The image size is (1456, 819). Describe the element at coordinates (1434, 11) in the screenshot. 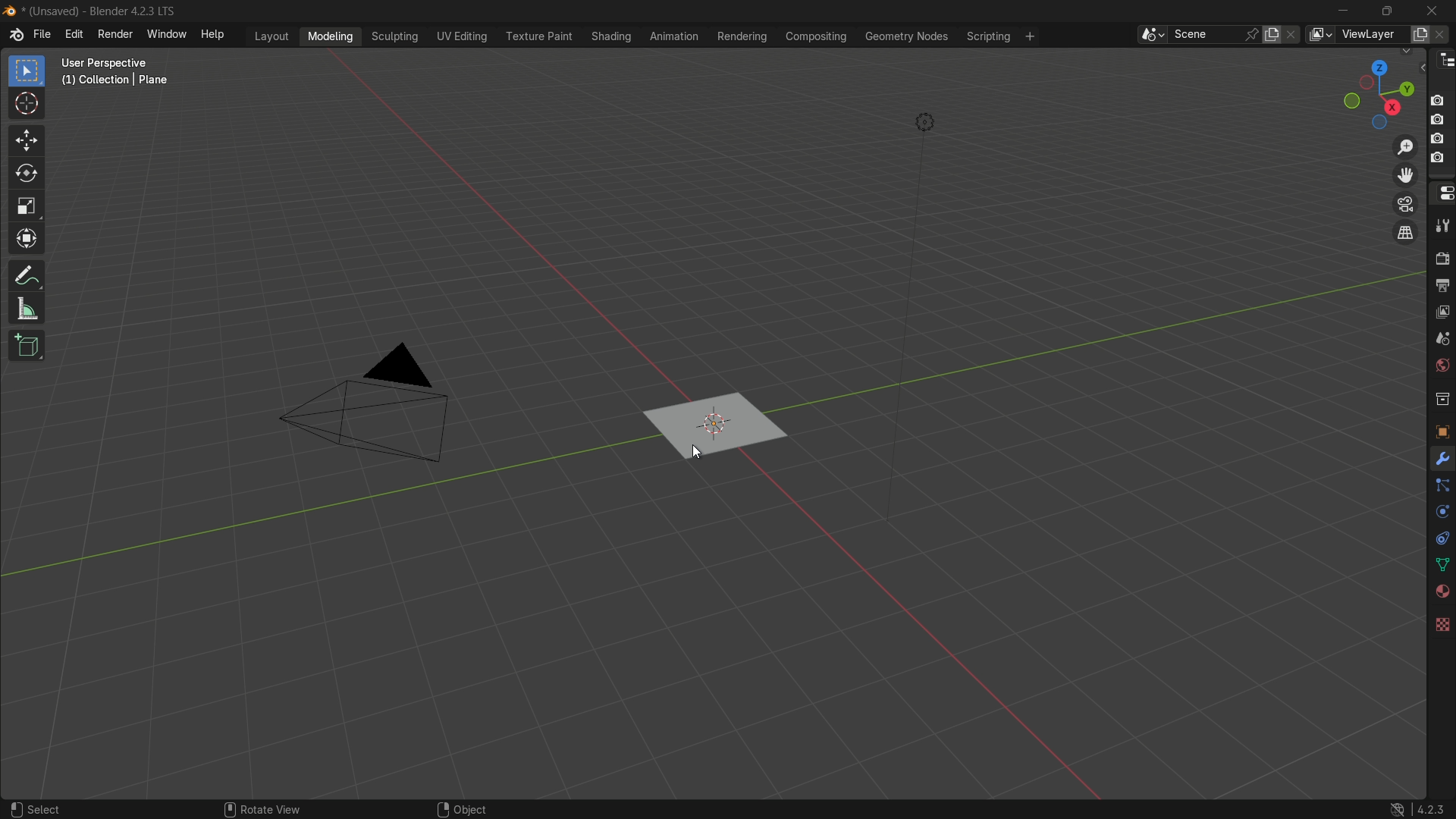

I see `close app` at that location.